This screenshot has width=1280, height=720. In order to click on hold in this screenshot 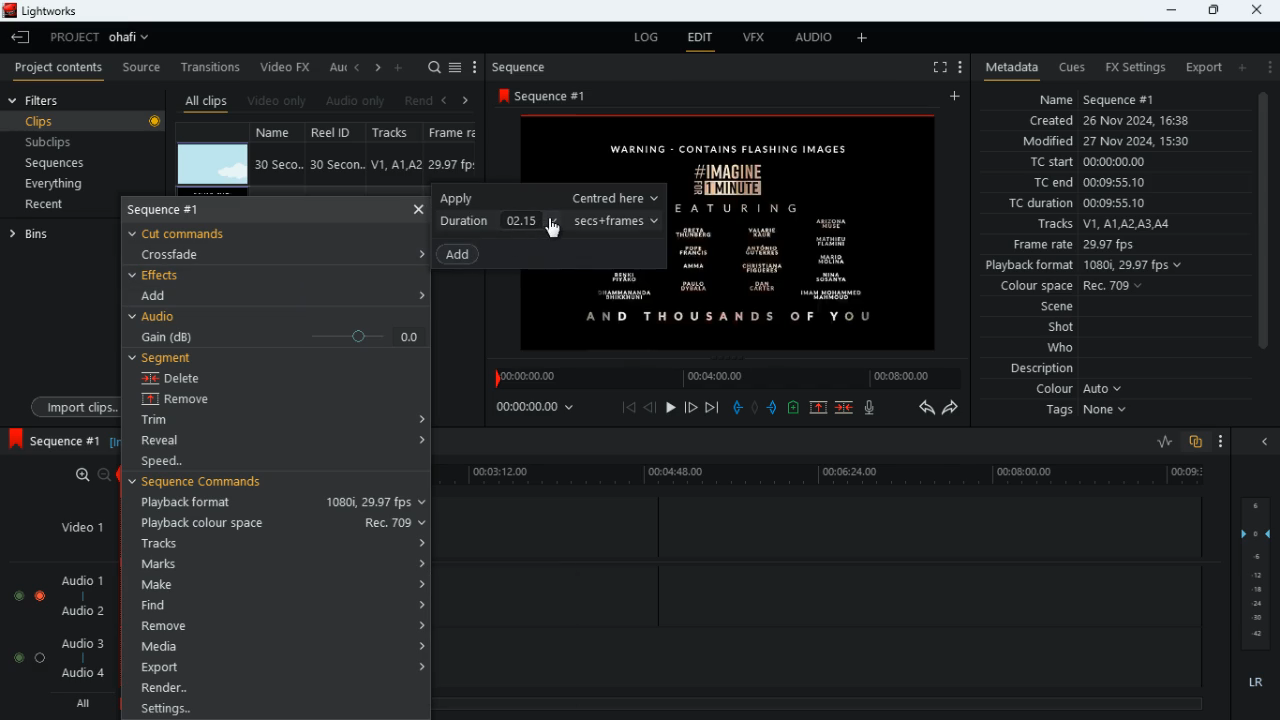, I will do `click(755, 408)`.